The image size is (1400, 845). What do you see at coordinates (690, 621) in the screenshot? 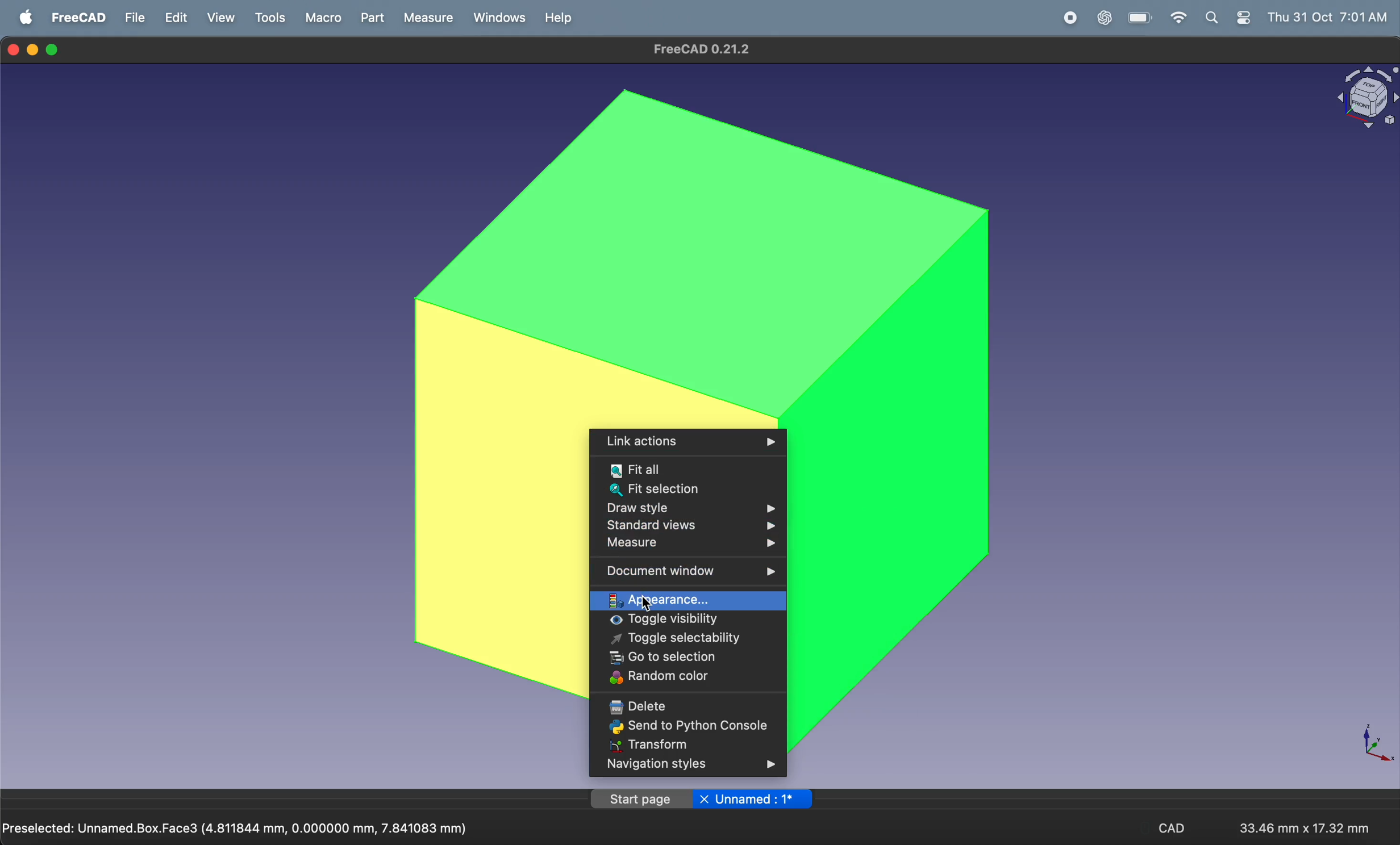
I see `toggle visibility` at bounding box center [690, 621].